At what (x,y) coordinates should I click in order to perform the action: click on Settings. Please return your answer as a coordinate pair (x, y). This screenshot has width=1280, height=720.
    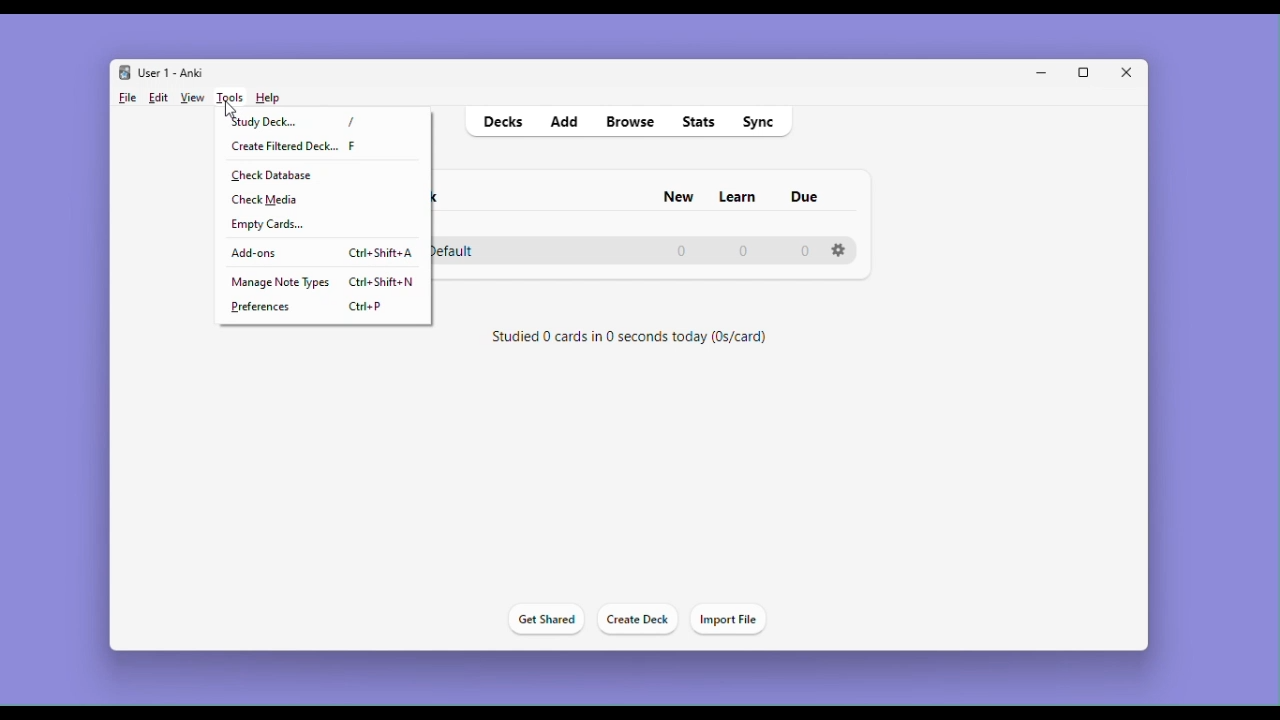
    Looking at the image, I should click on (840, 250).